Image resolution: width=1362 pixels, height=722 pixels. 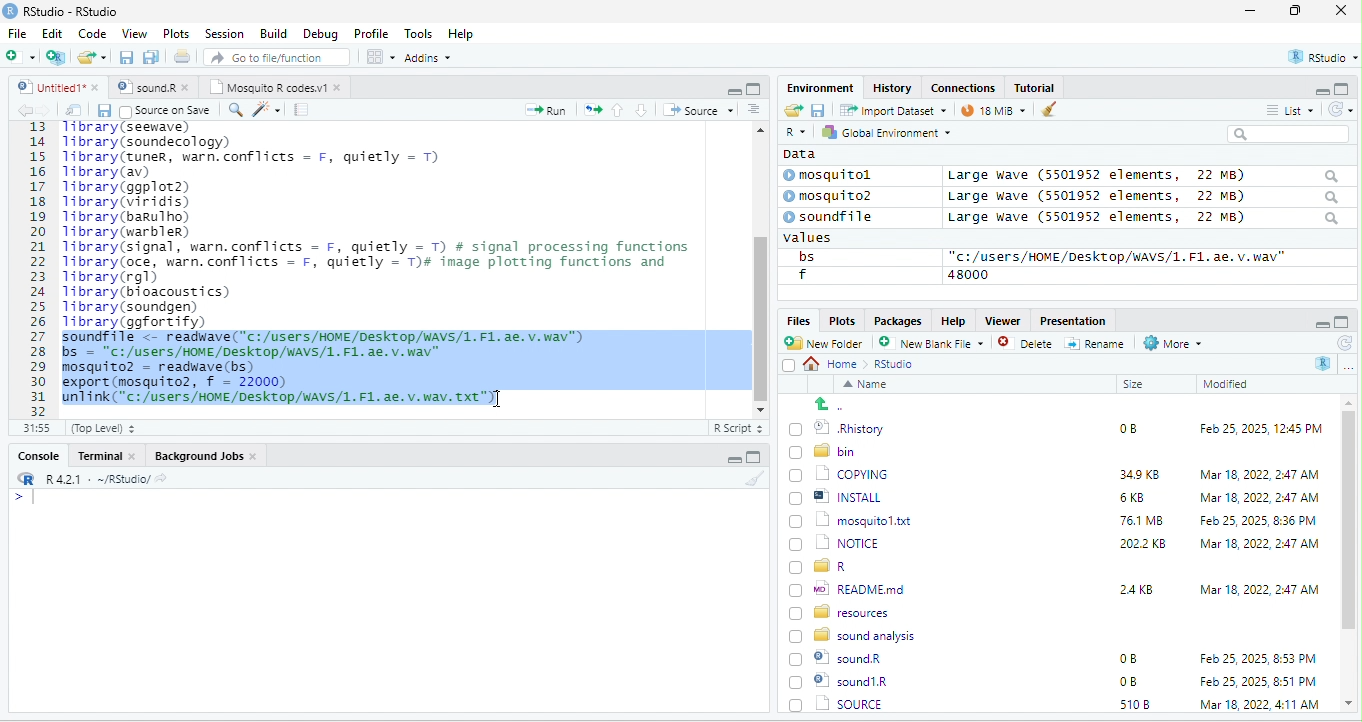 What do you see at coordinates (235, 108) in the screenshot?
I see `search` at bounding box center [235, 108].